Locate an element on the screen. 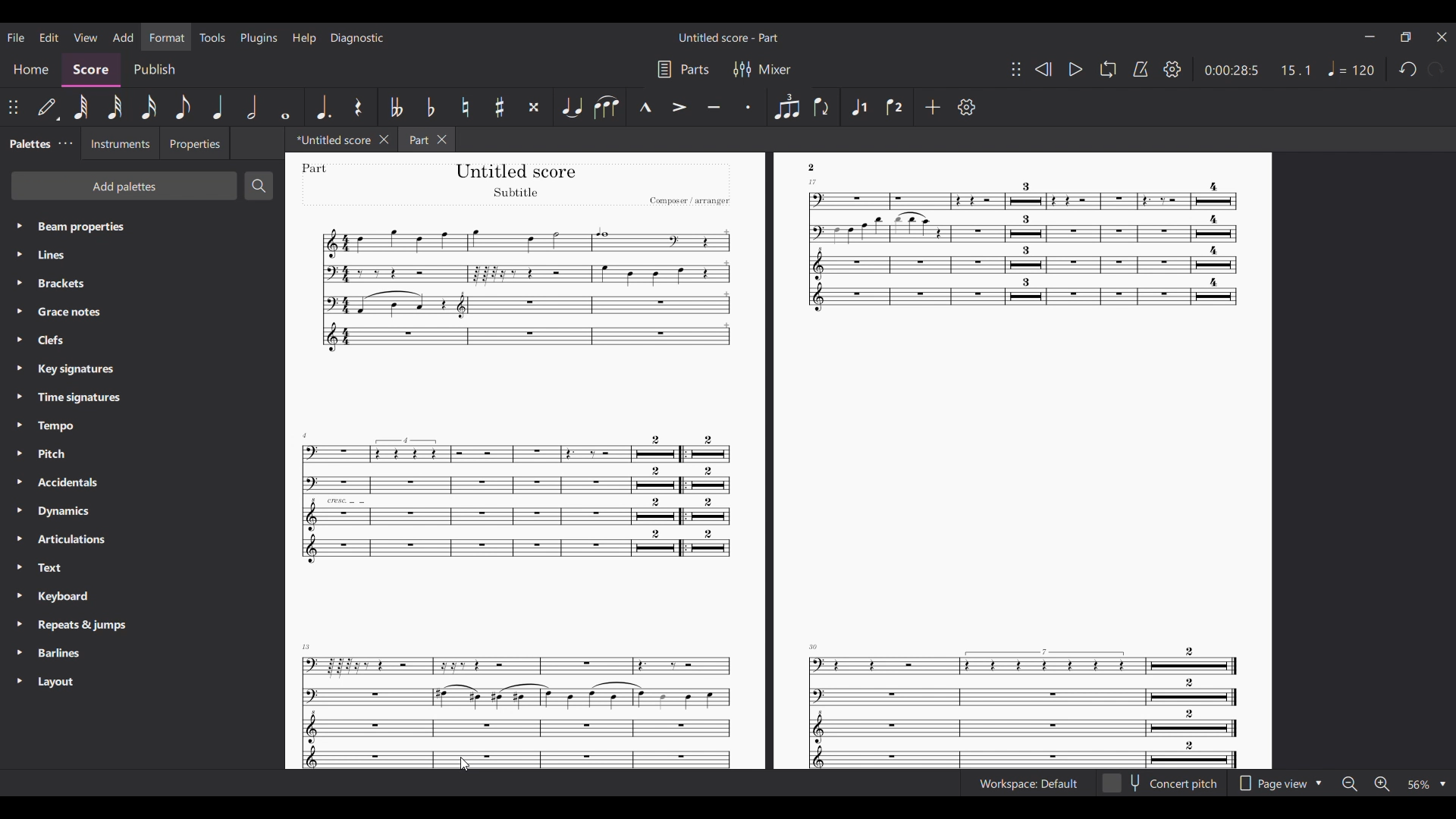   is located at coordinates (1024, 704).